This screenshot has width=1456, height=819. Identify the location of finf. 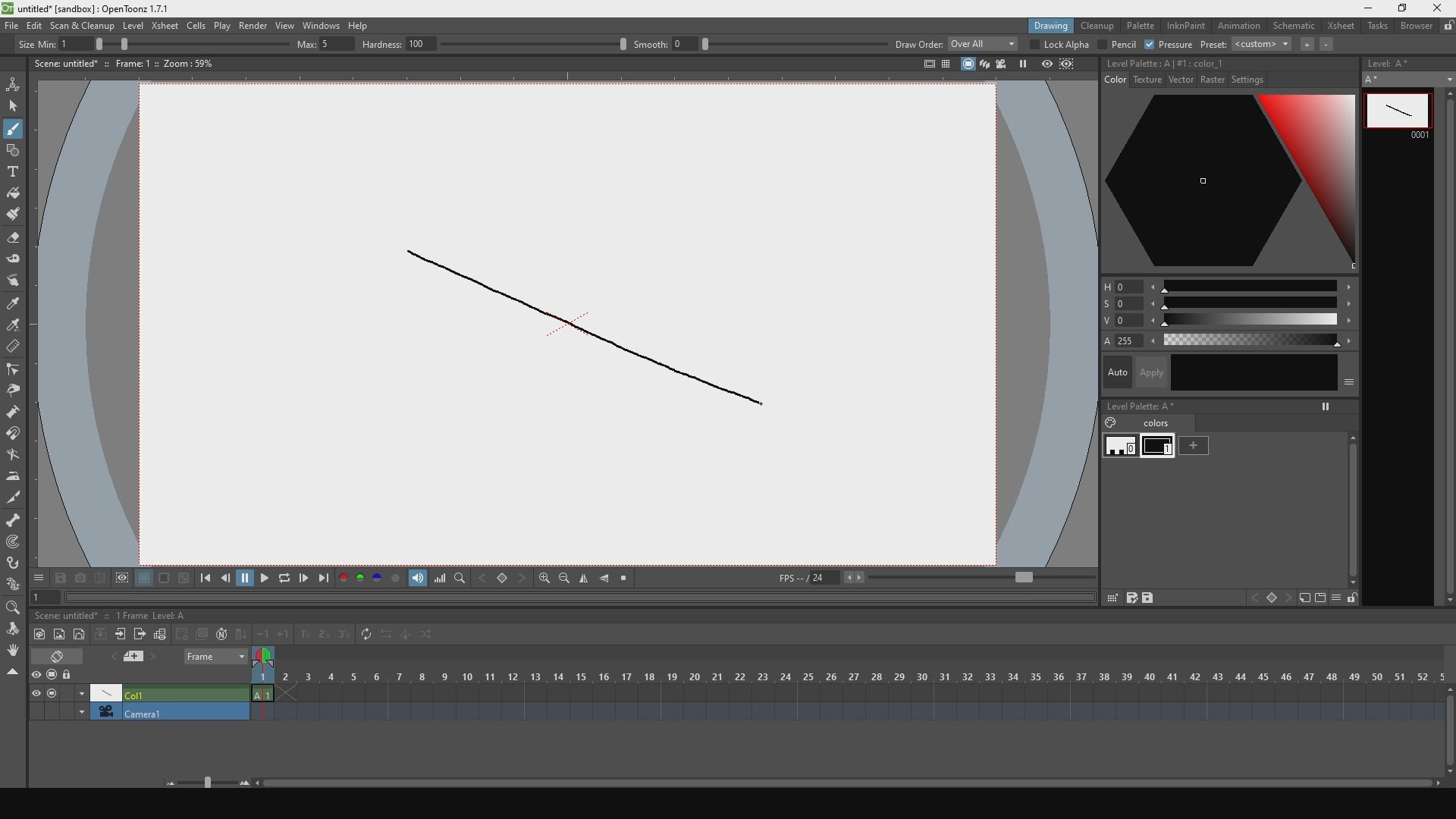
(461, 579).